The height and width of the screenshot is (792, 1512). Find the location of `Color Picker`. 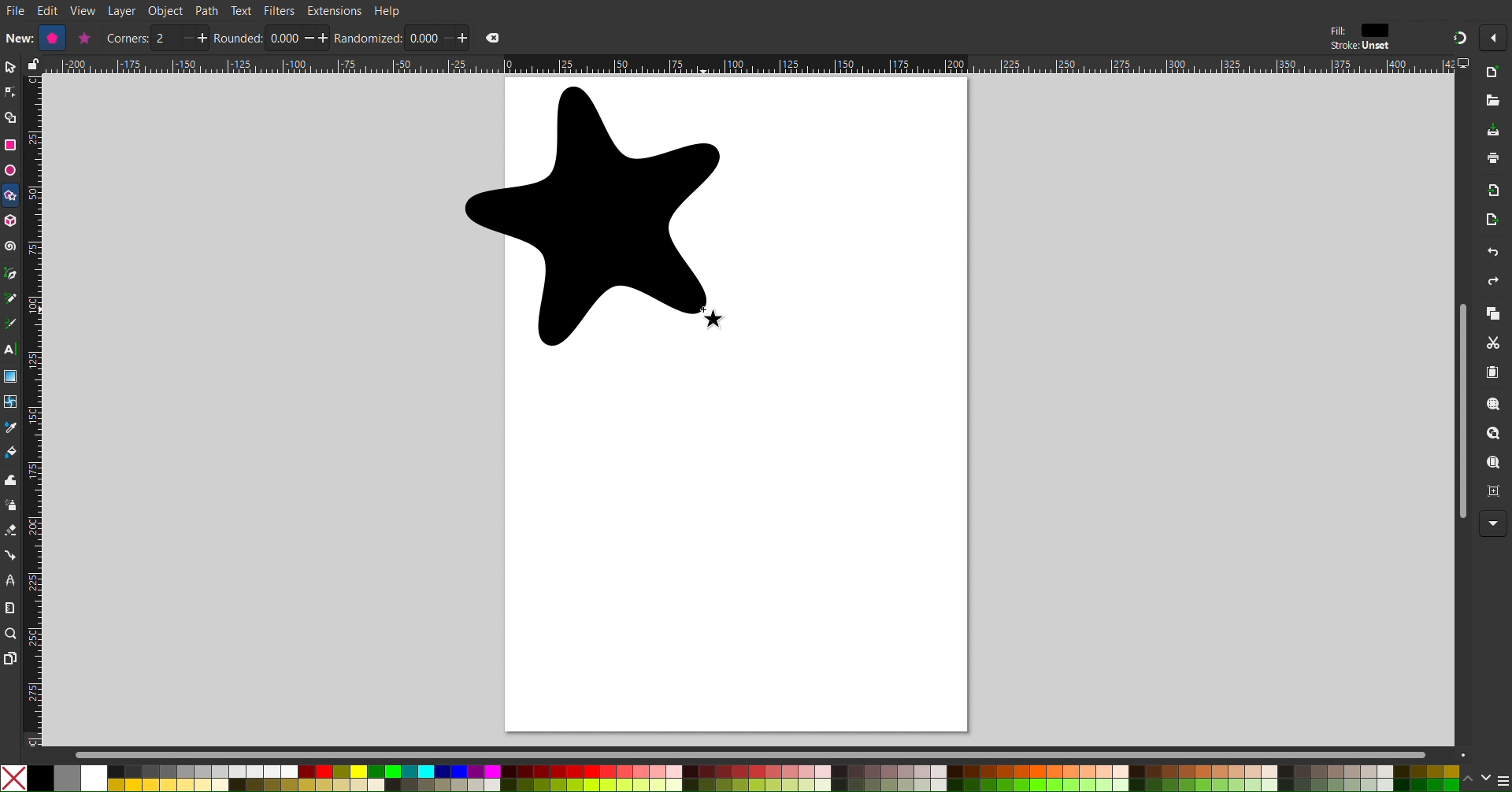

Color Picker is located at coordinates (11, 429).